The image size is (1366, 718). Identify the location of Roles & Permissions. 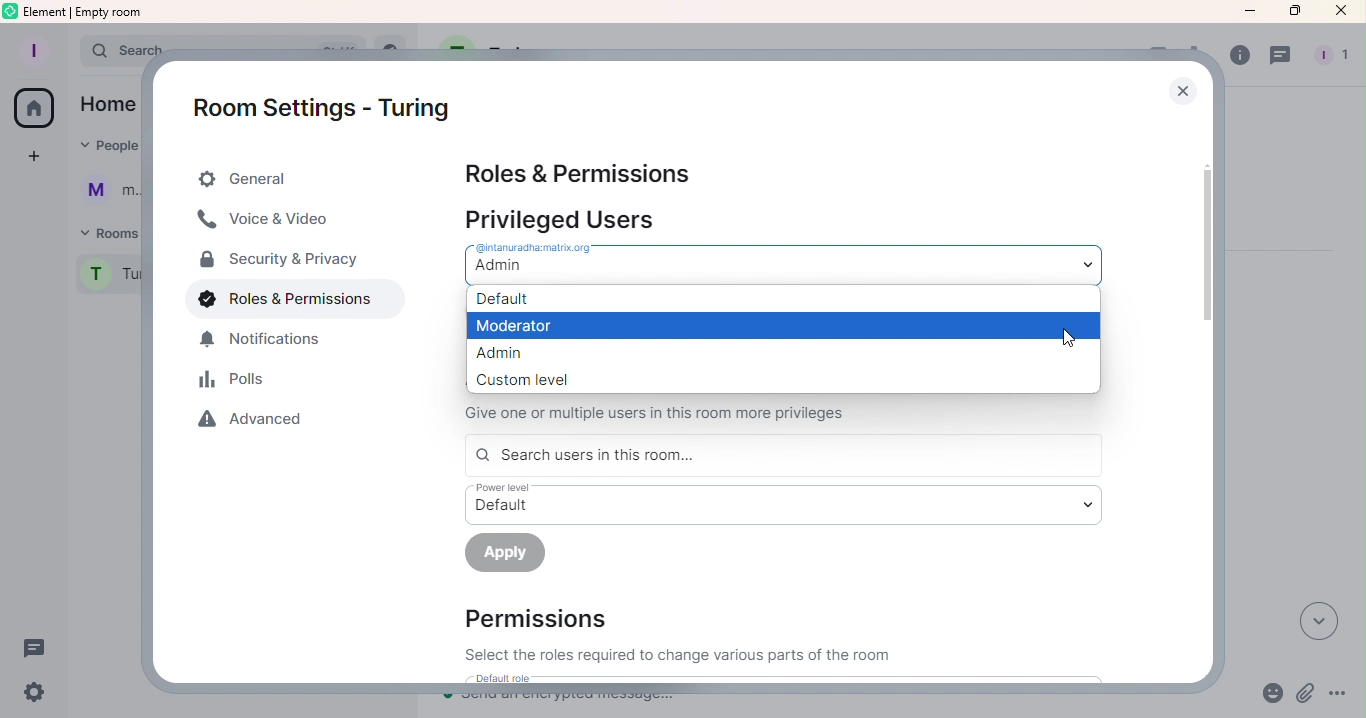
(574, 170).